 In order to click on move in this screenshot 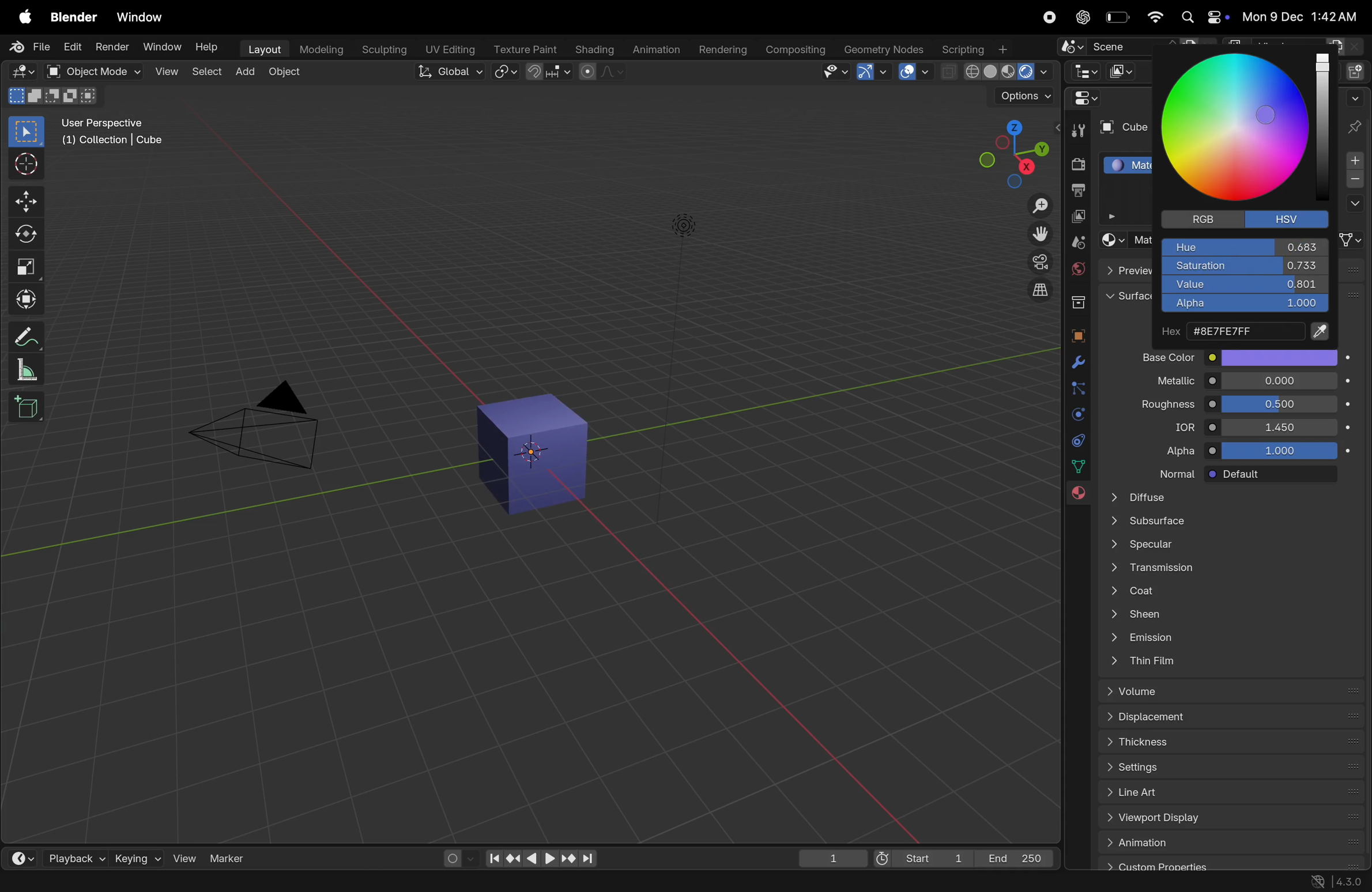, I will do `click(25, 201)`.